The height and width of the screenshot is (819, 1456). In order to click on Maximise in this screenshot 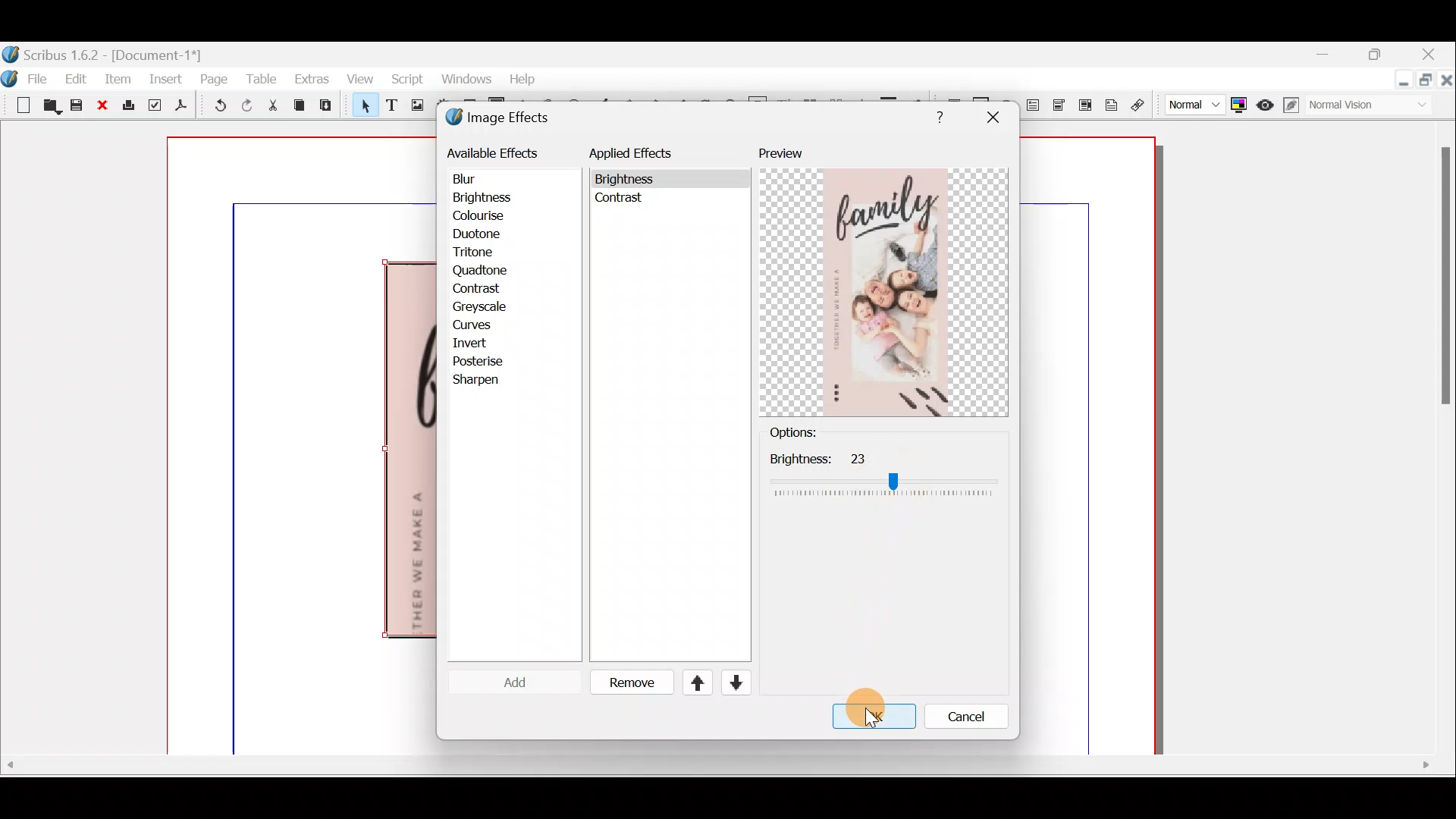, I will do `click(1427, 82)`.